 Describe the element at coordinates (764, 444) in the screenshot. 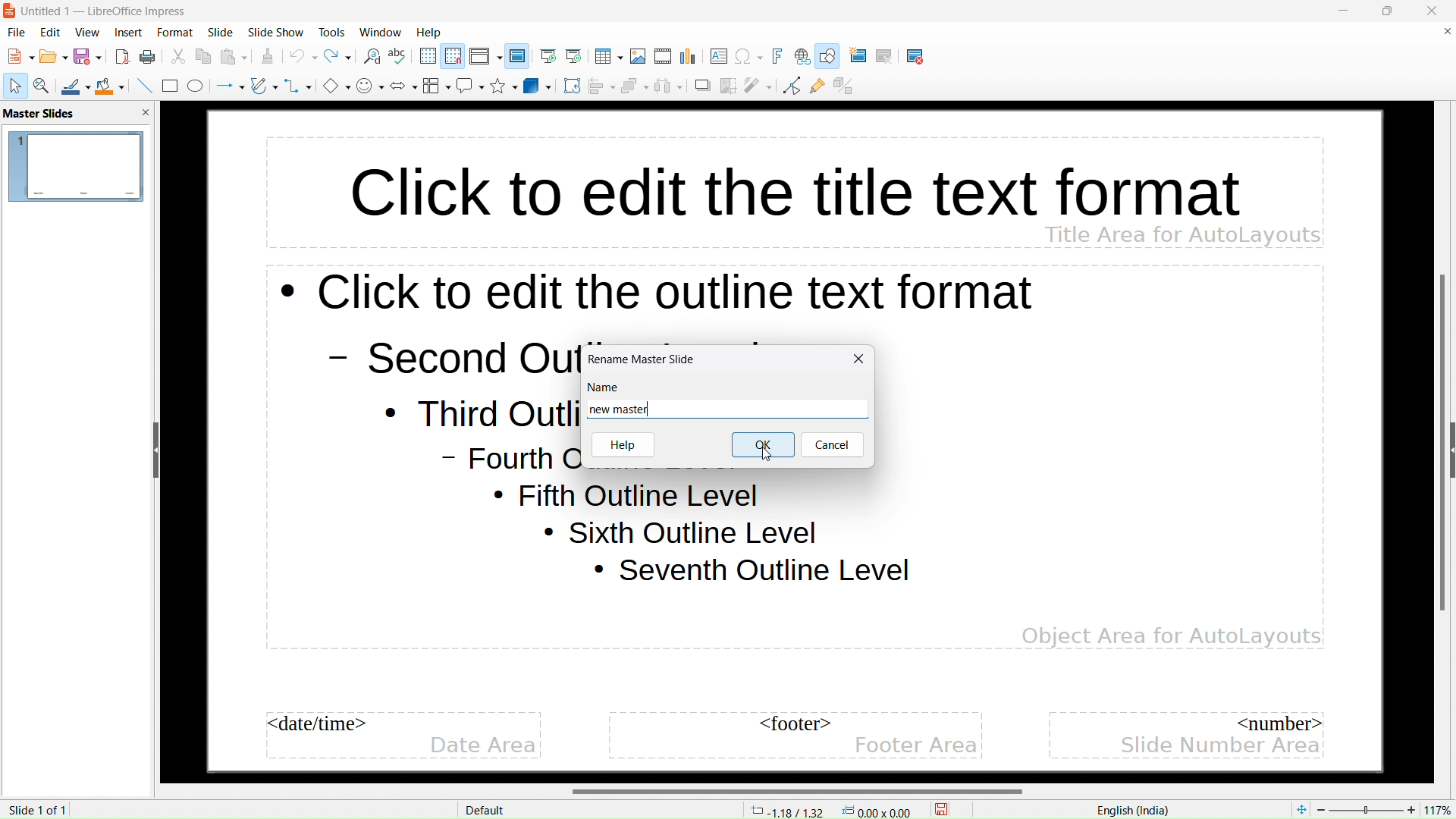

I see `ok` at that location.